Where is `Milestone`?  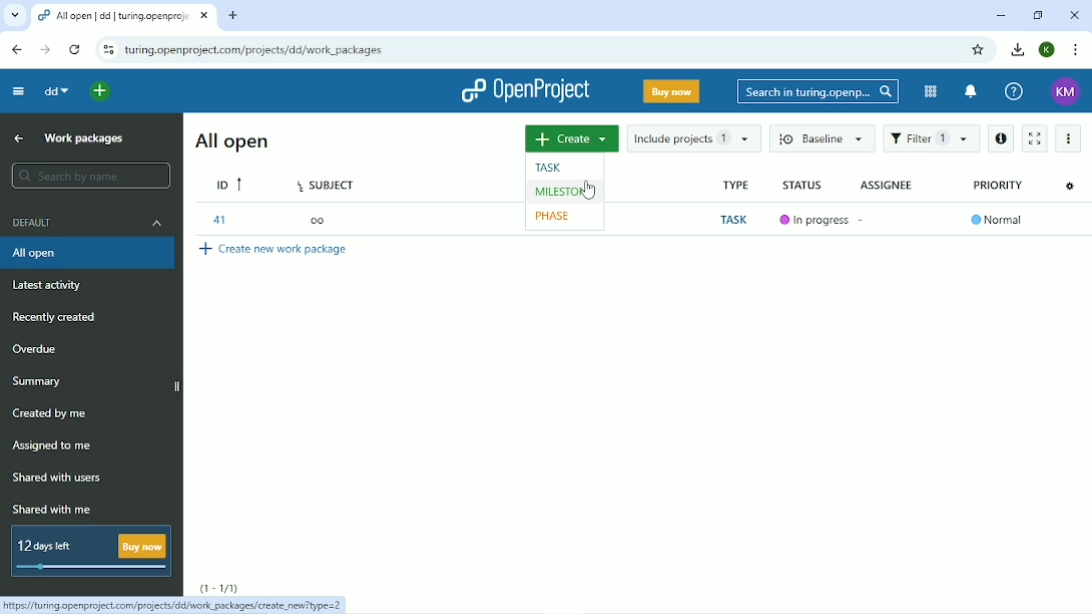 Milestone is located at coordinates (562, 191).